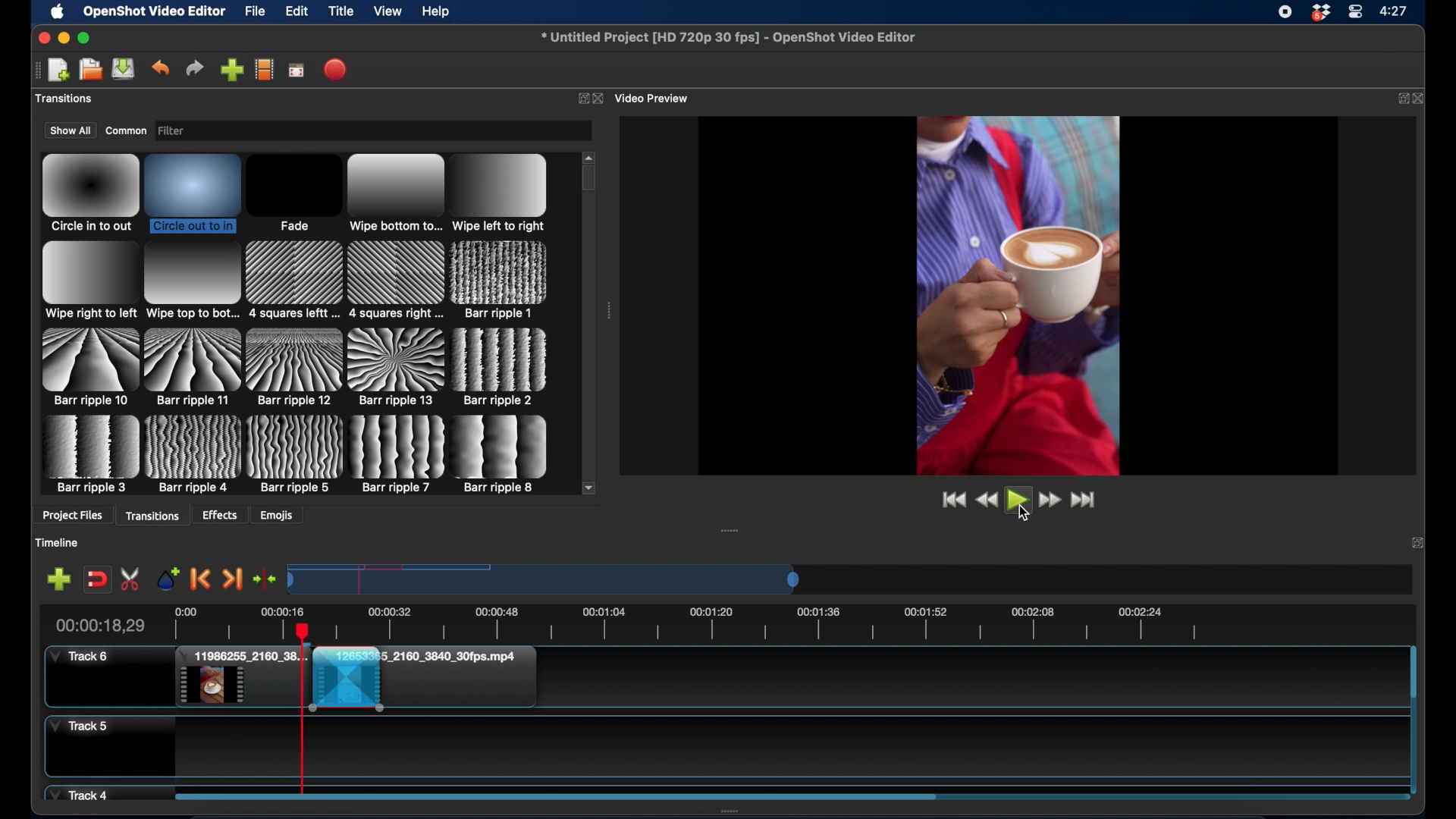  Describe the element at coordinates (193, 366) in the screenshot. I see `transition` at that location.